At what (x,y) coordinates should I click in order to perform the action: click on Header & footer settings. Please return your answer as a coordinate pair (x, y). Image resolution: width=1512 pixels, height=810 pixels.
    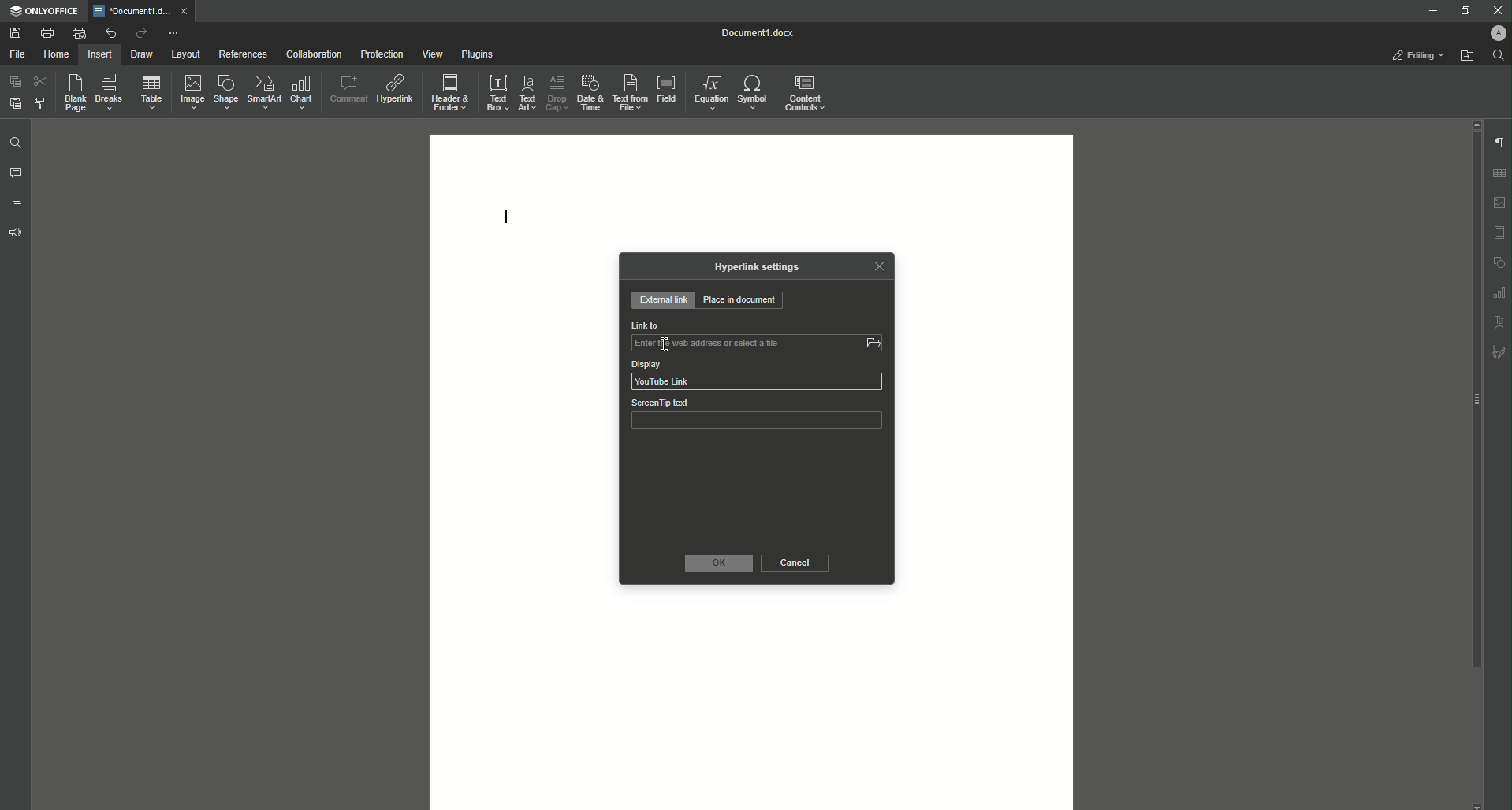
    Looking at the image, I should click on (1501, 233).